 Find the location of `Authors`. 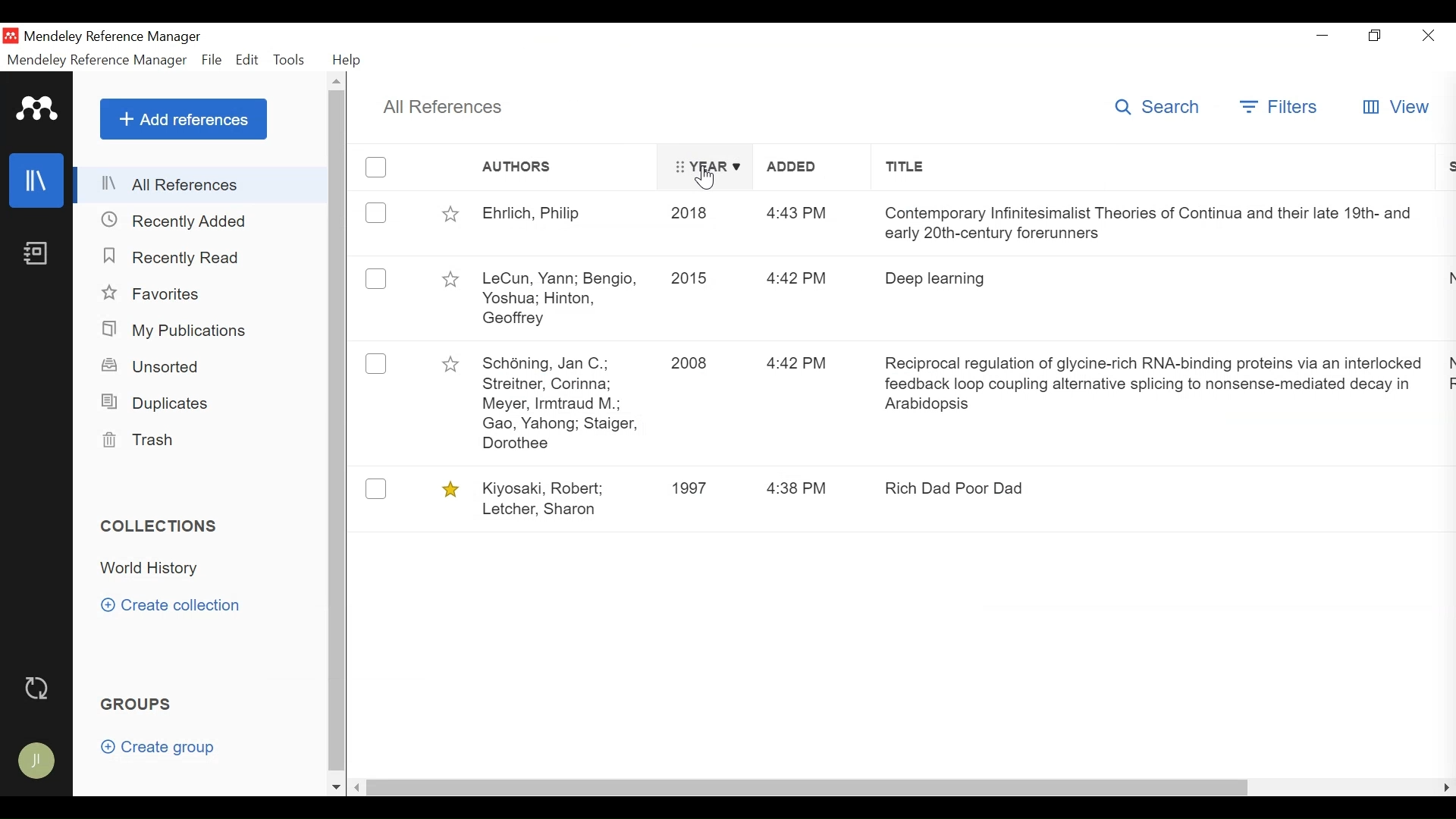

Authors is located at coordinates (566, 168).